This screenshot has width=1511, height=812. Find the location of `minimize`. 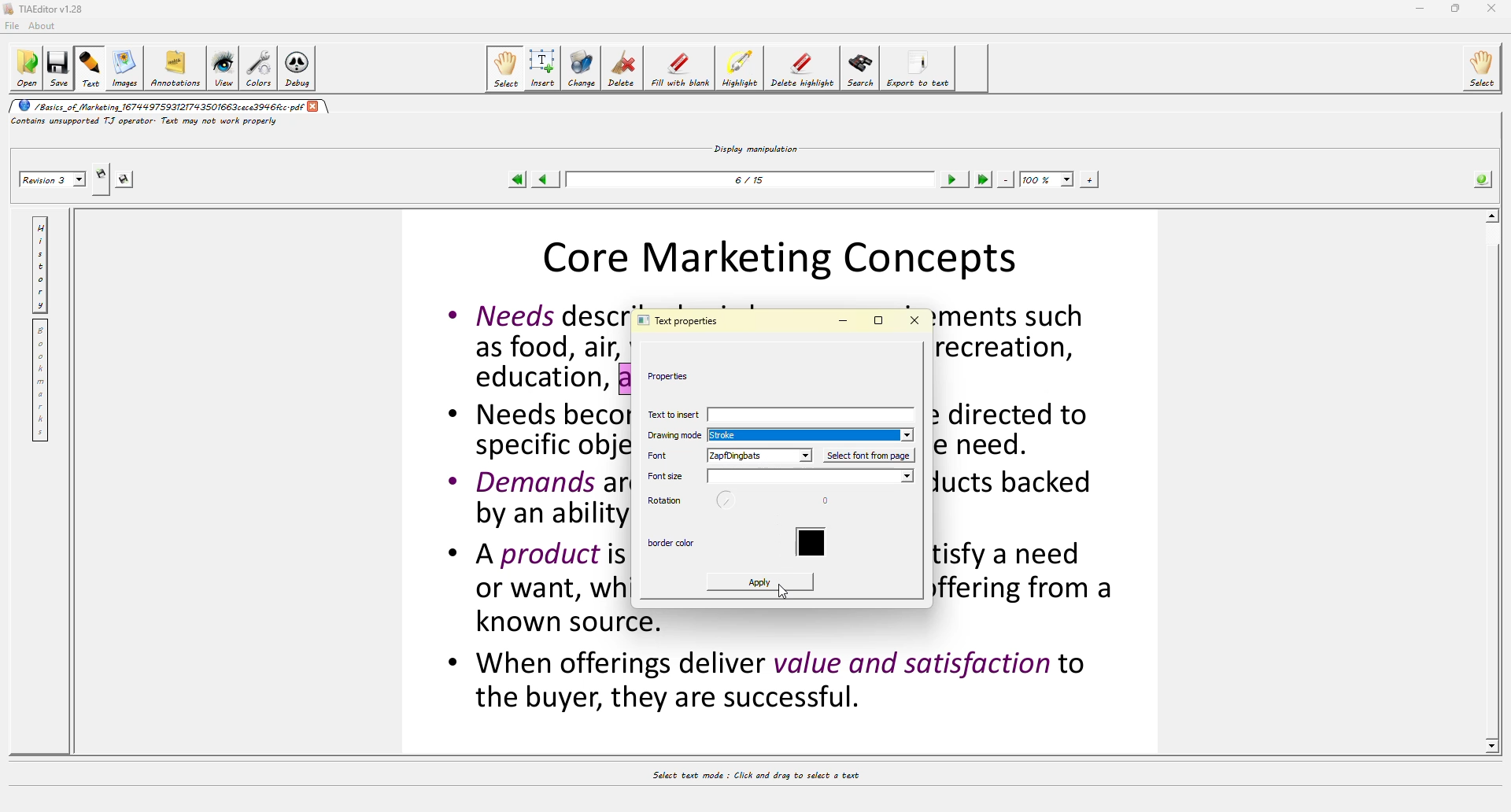

minimize is located at coordinates (845, 319).